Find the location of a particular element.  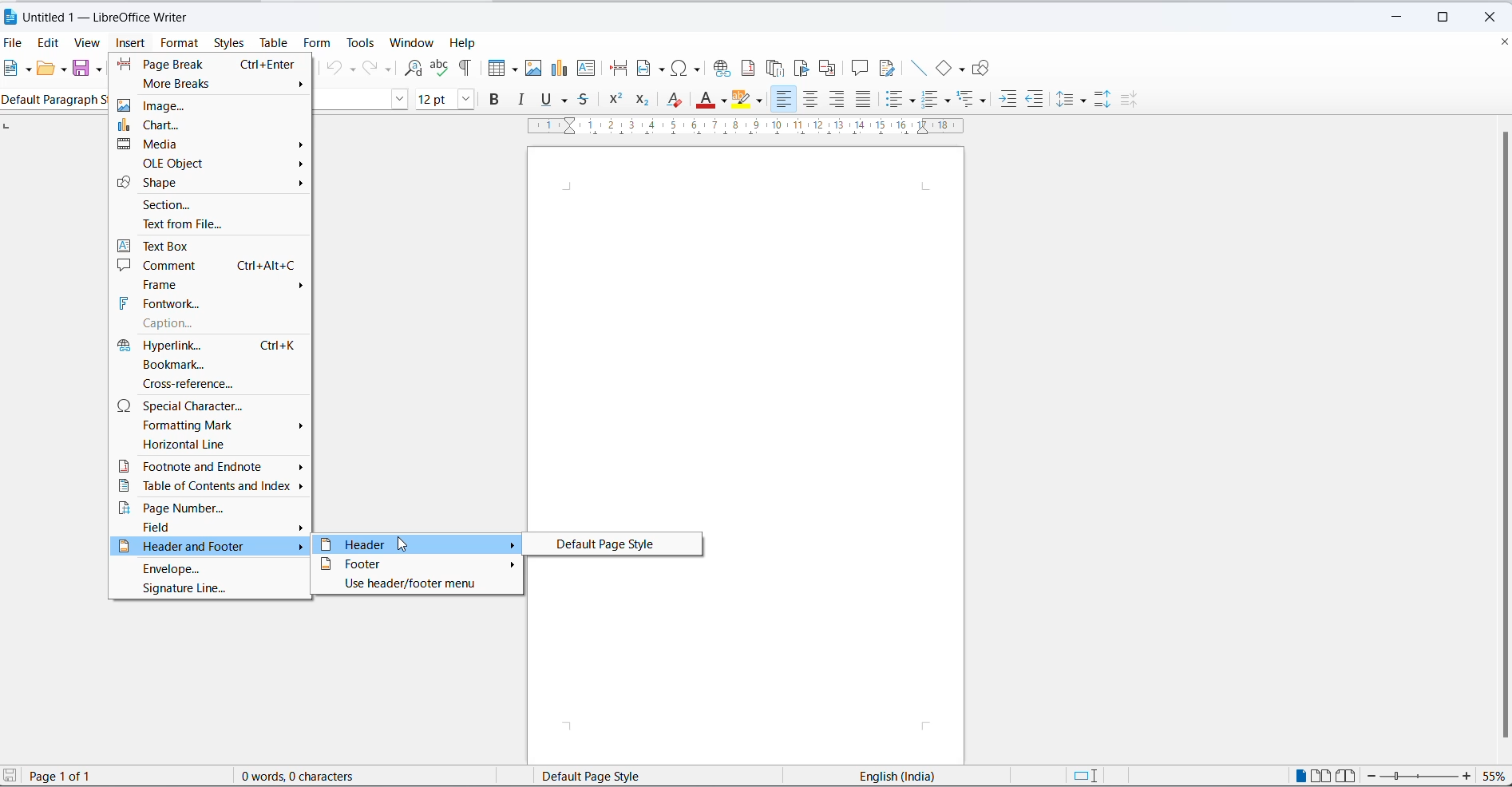

table is located at coordinates (277, 42).